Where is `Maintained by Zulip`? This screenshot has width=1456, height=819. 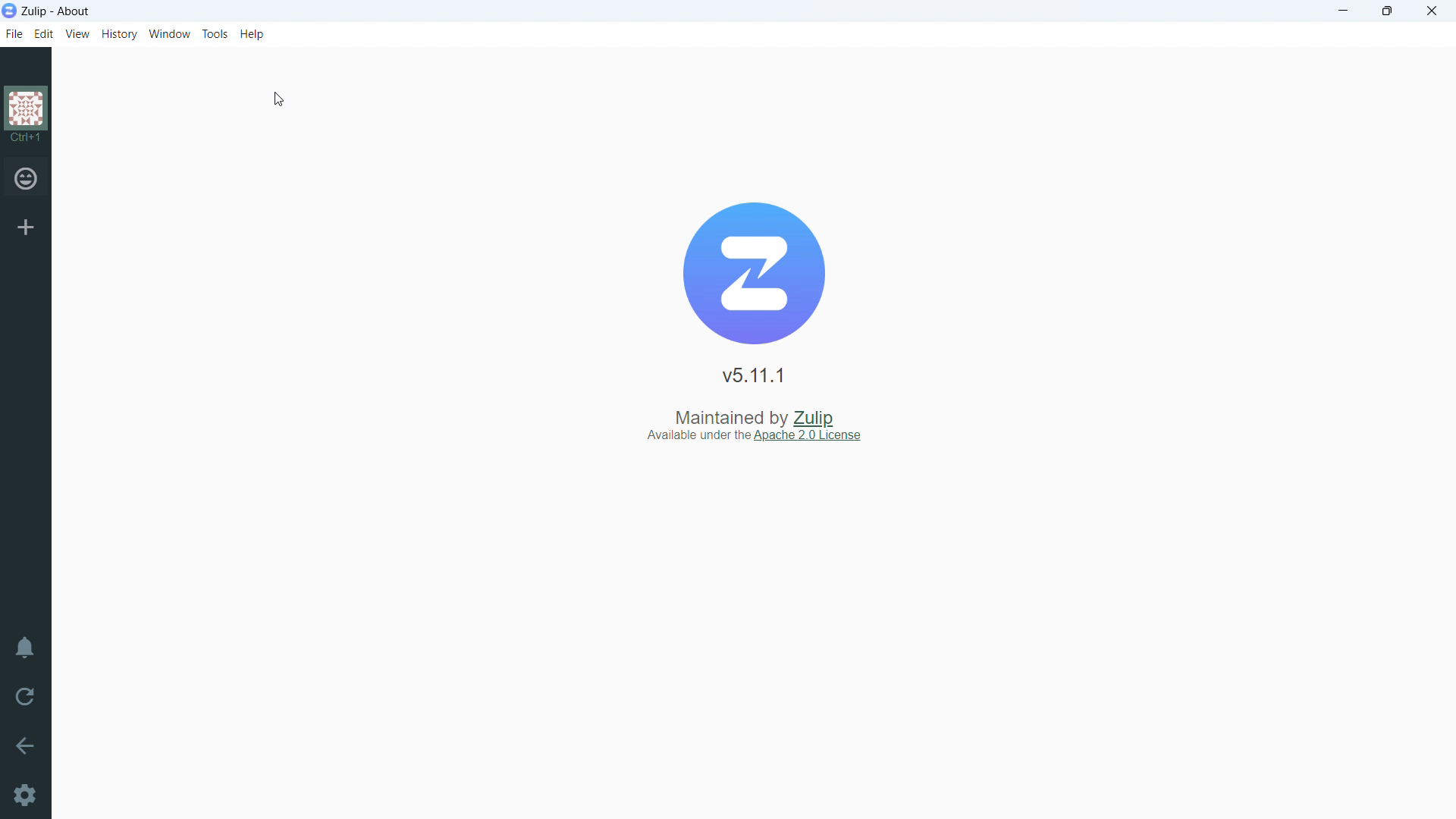 Maintained by Zulip is located at coordinates (750, 413).